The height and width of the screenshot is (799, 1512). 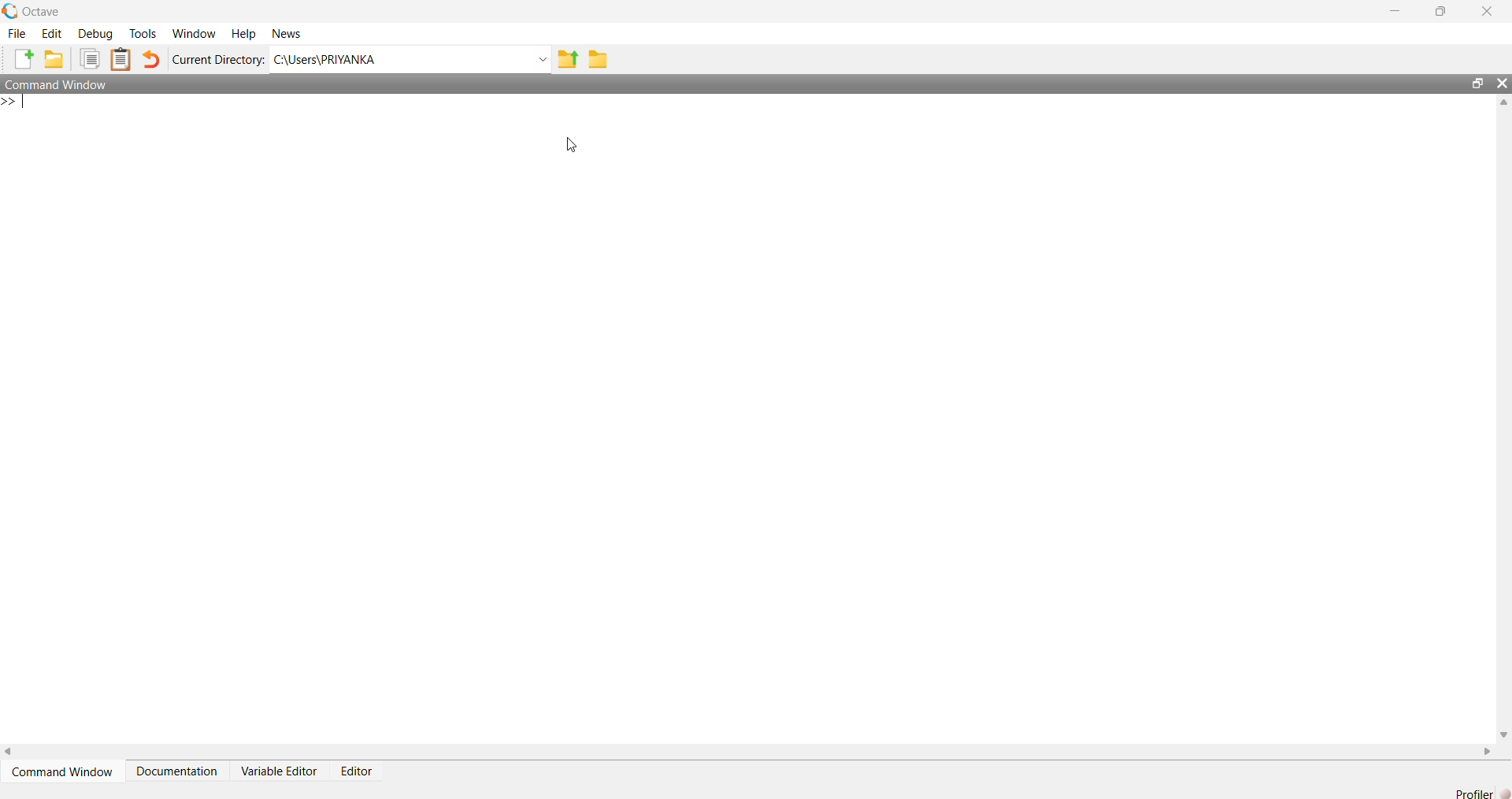 I want to click on Editor, so click(x=360, y=767).